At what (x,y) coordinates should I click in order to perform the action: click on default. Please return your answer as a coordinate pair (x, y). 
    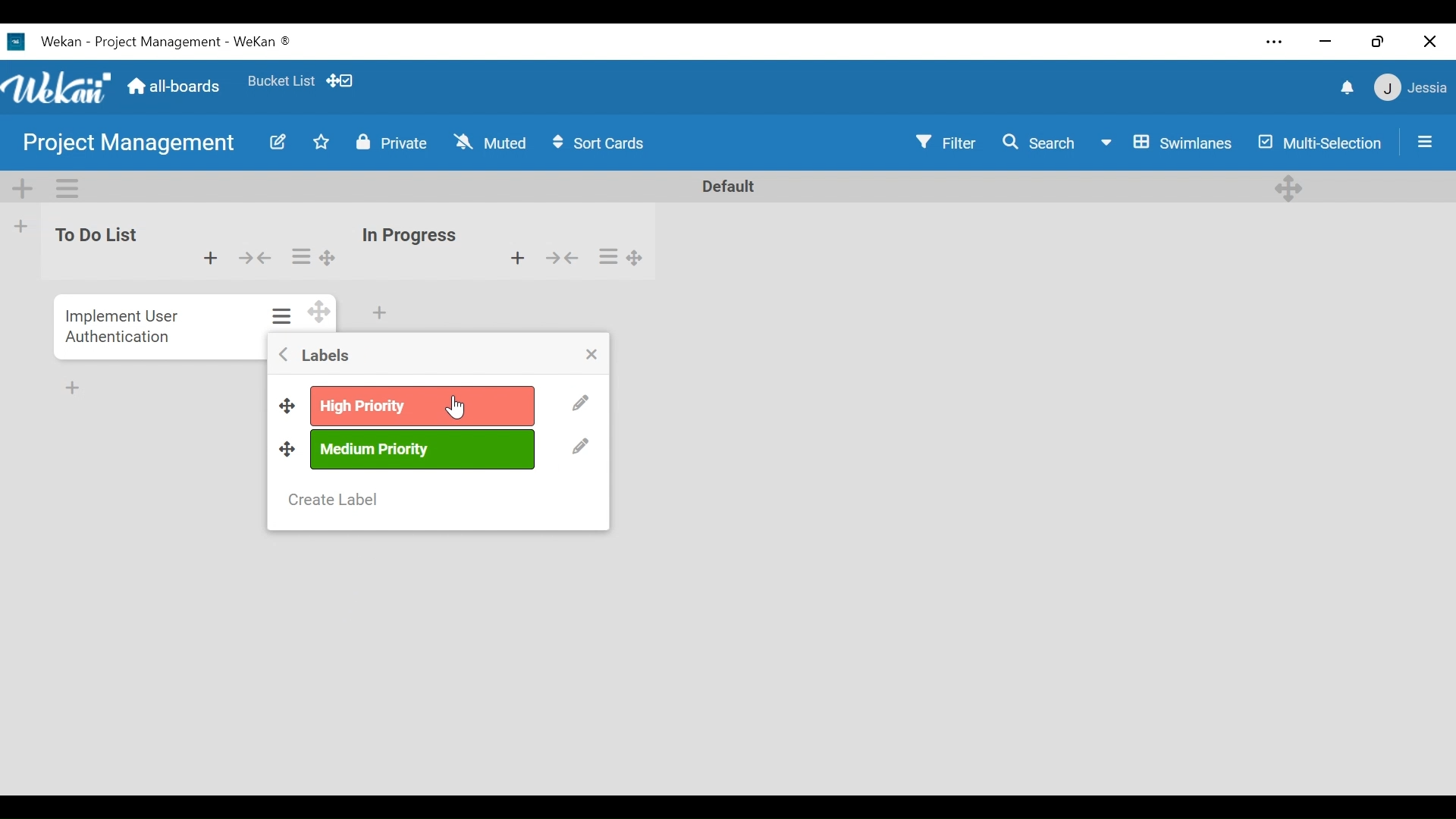
    Looking at the image, I should click on (718, 187).